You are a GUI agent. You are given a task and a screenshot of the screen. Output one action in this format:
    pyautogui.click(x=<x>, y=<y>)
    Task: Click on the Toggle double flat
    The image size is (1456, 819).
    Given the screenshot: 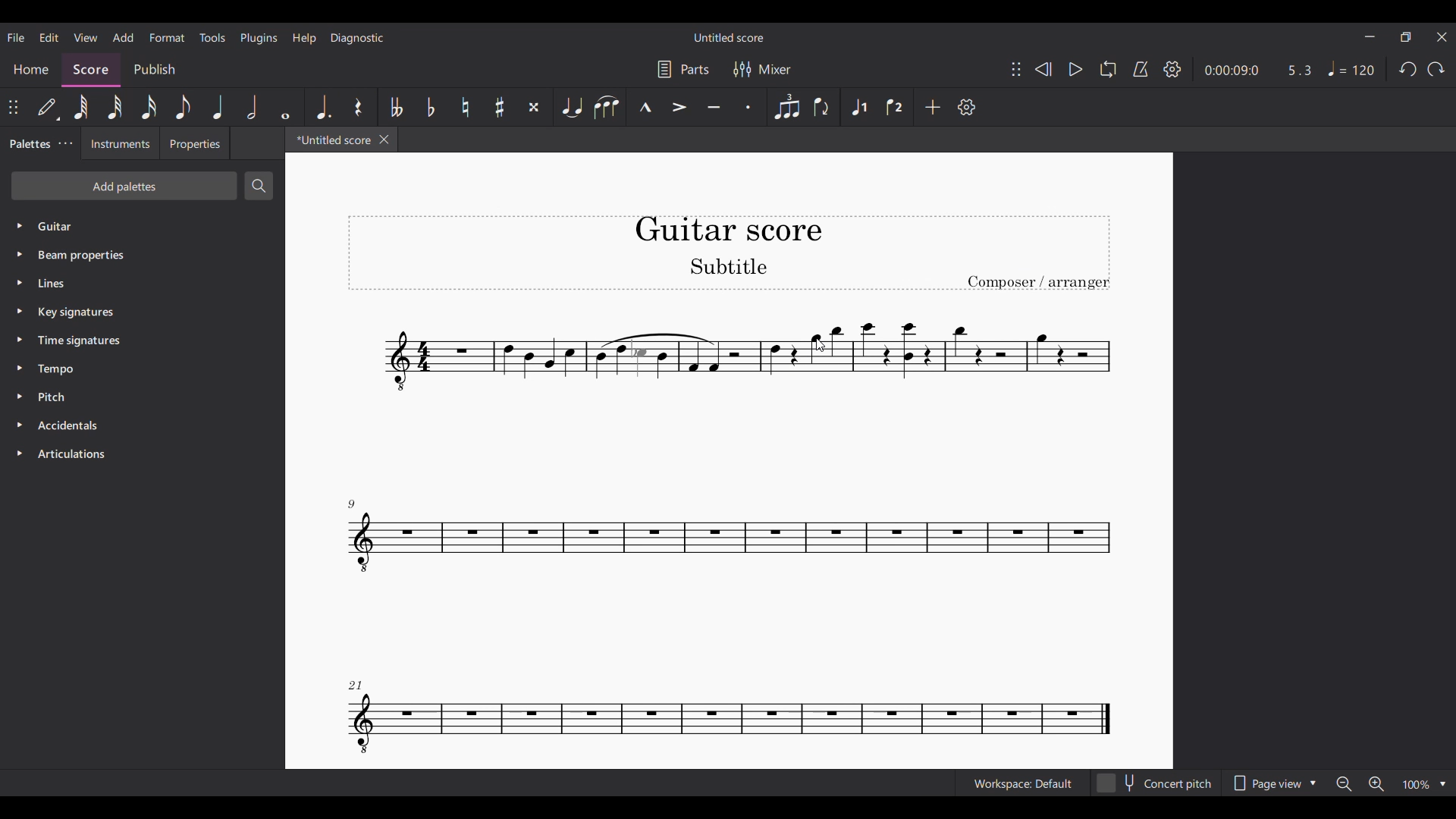 What is the action you would take?
    pyautogui.click(x=396, y=107)
    